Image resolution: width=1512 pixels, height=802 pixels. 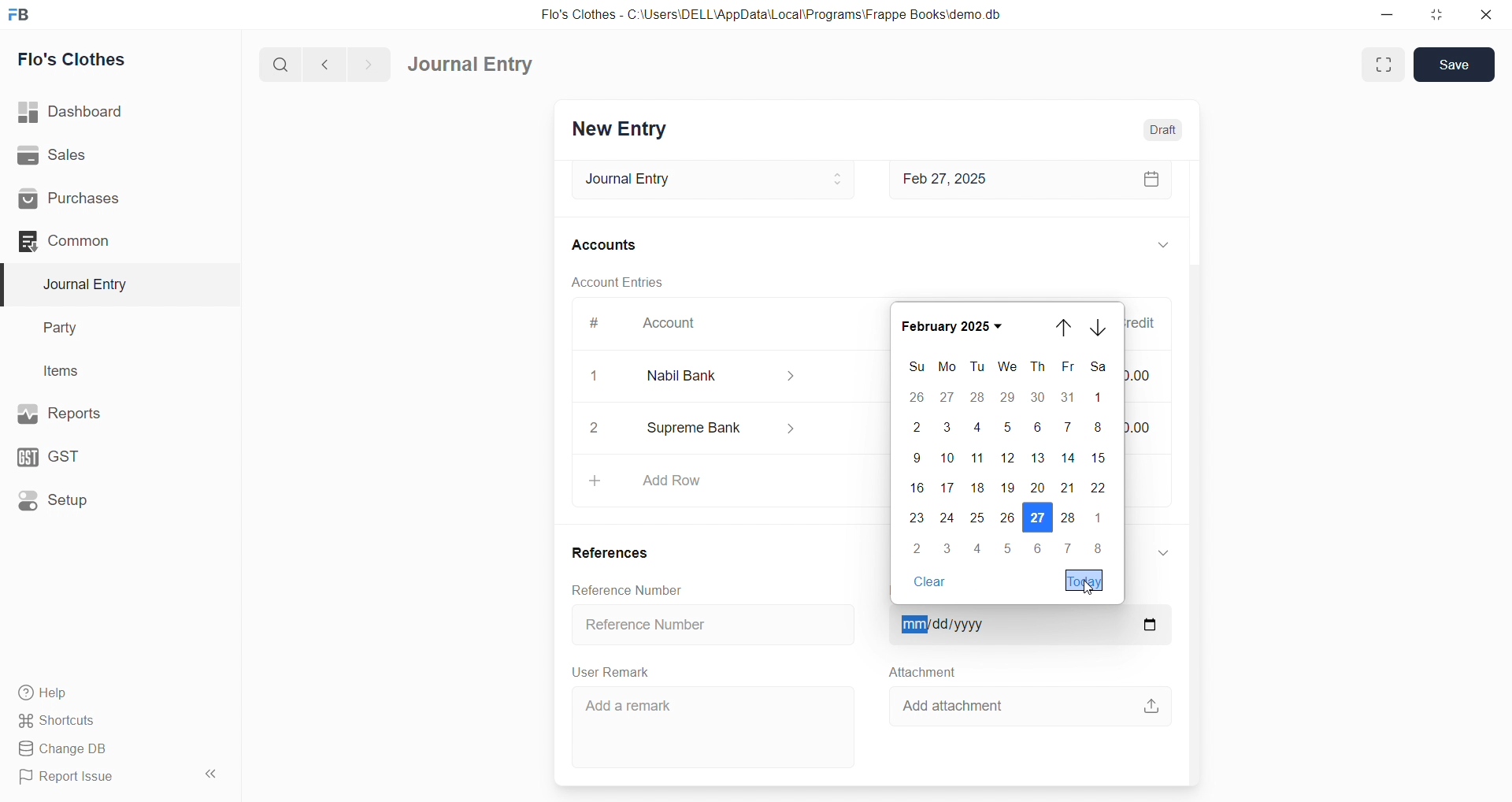 I want to click on + Add Row, so click(x=727, y=481).